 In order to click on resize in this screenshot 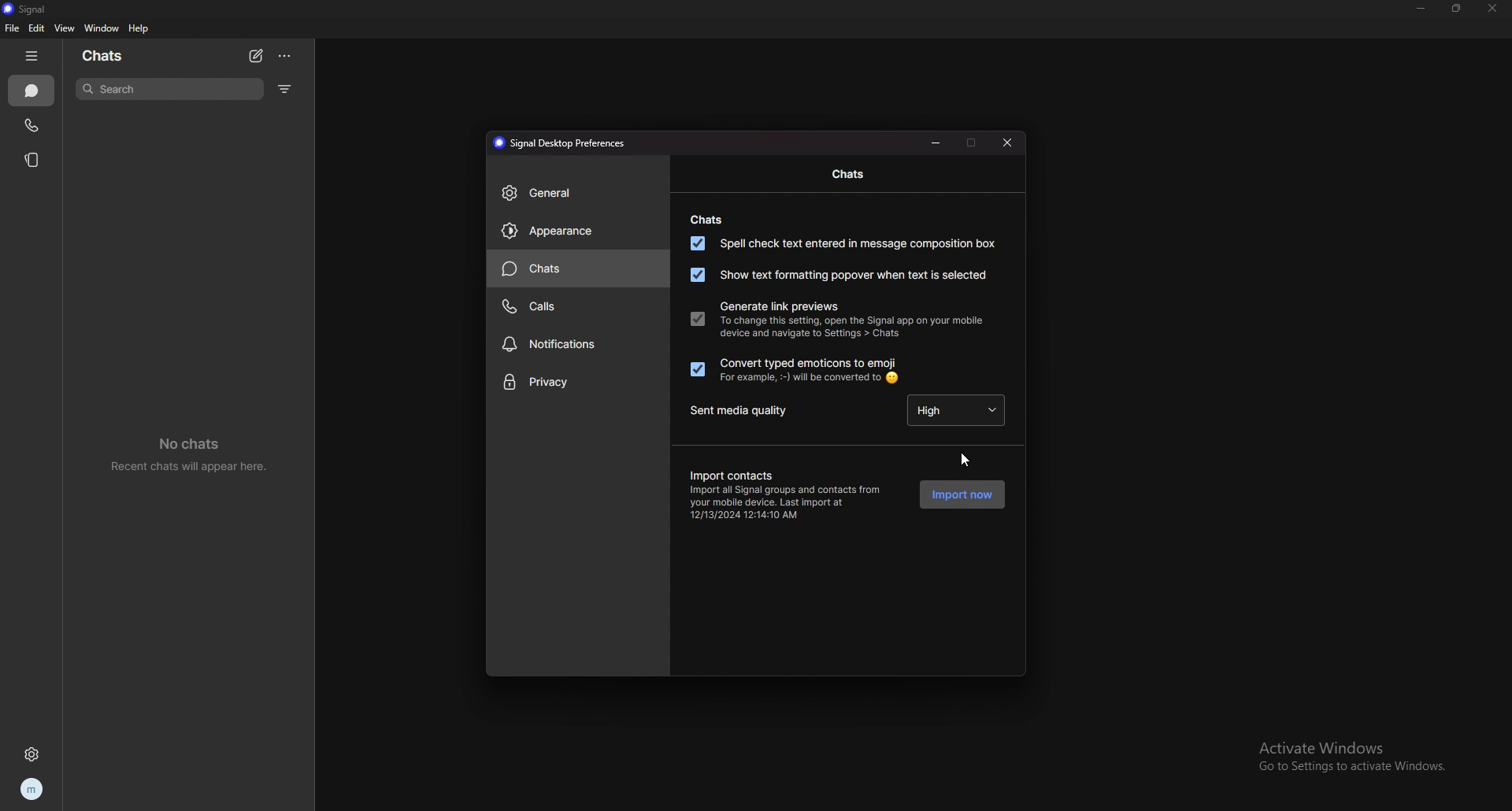, I will do `click(1457, 7)`.